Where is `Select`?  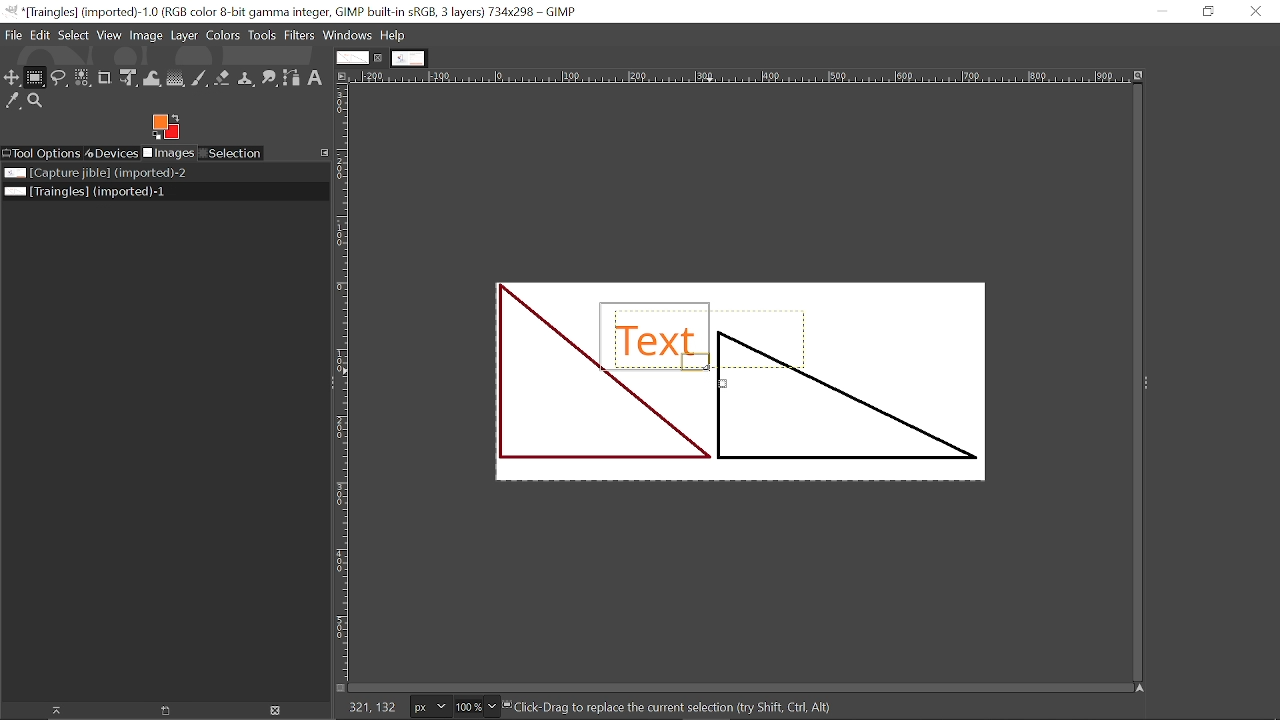
Select is located at coordinates (73, 36).